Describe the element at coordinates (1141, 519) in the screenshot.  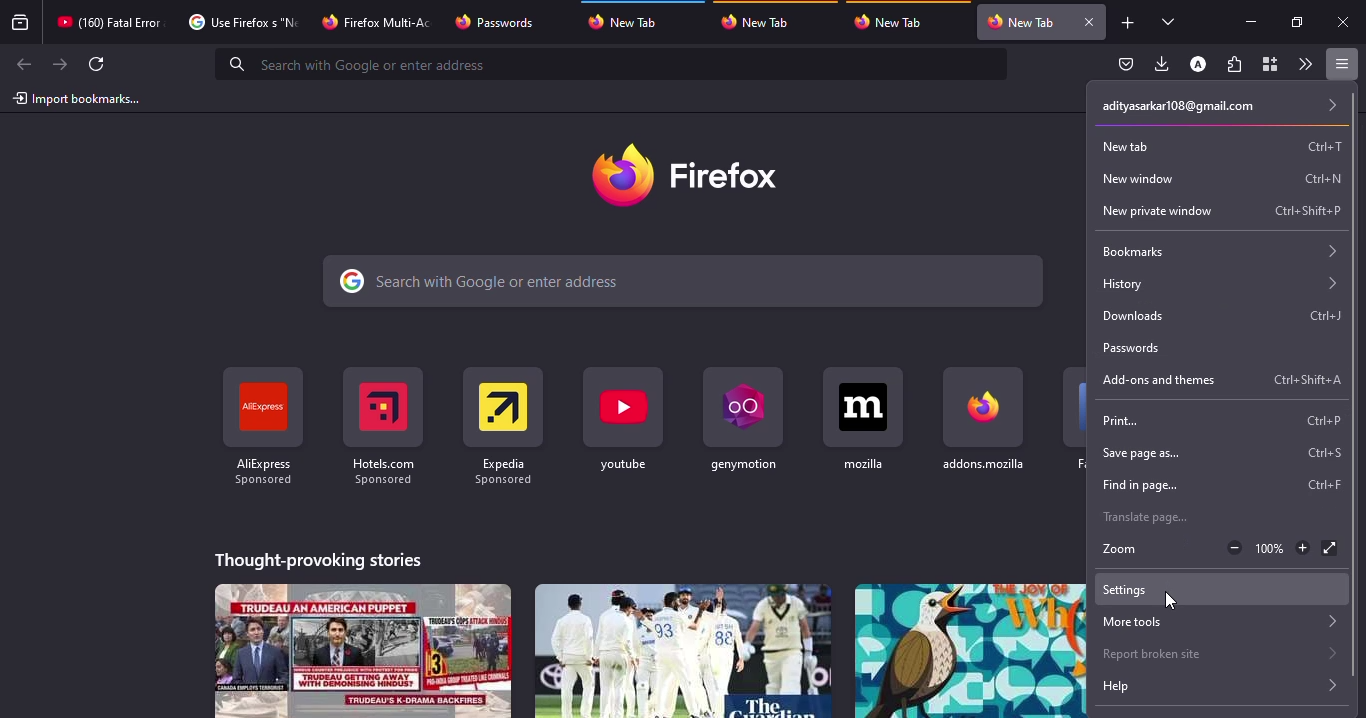
I see `translate` at that location.